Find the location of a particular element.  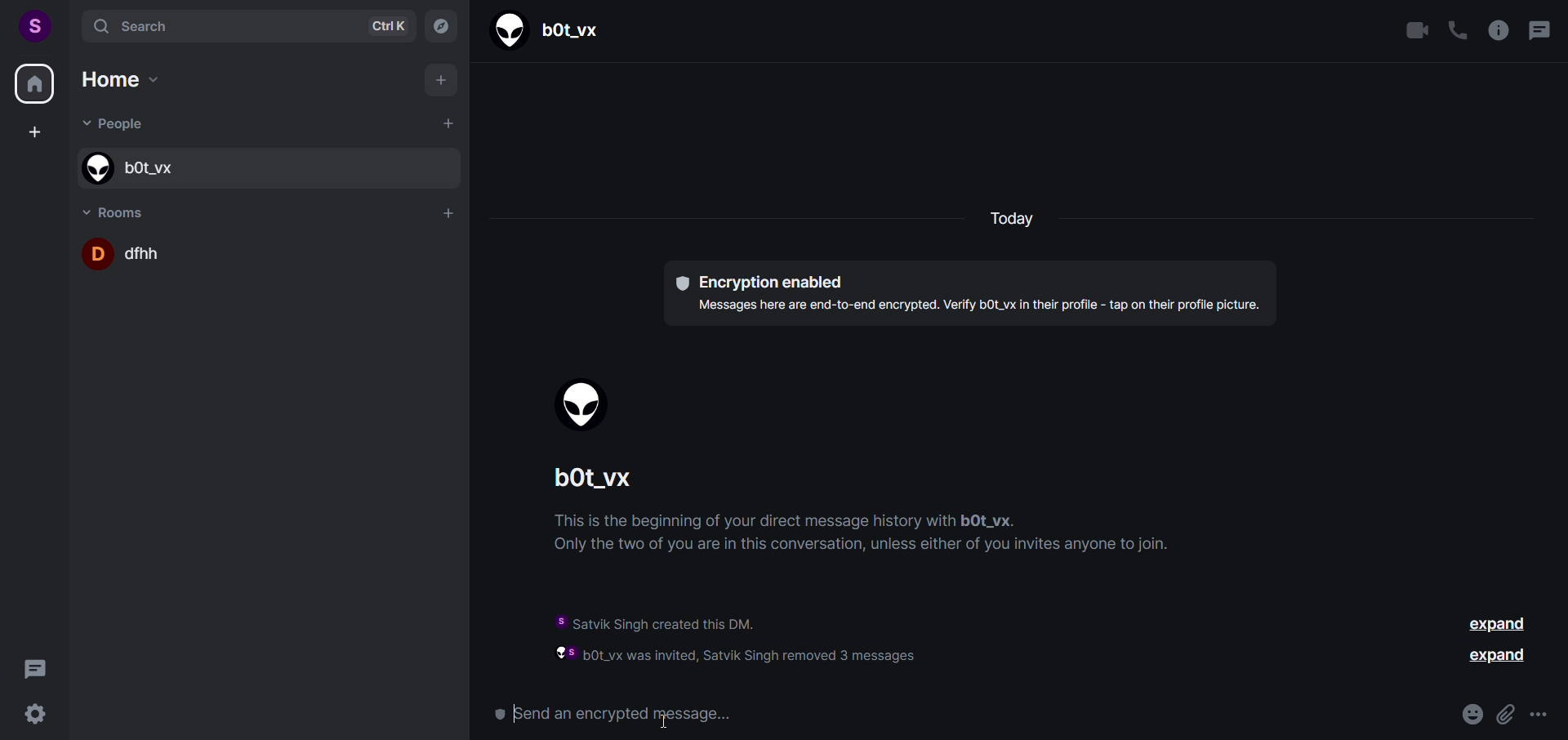

home is located at coordinates (34, 87).